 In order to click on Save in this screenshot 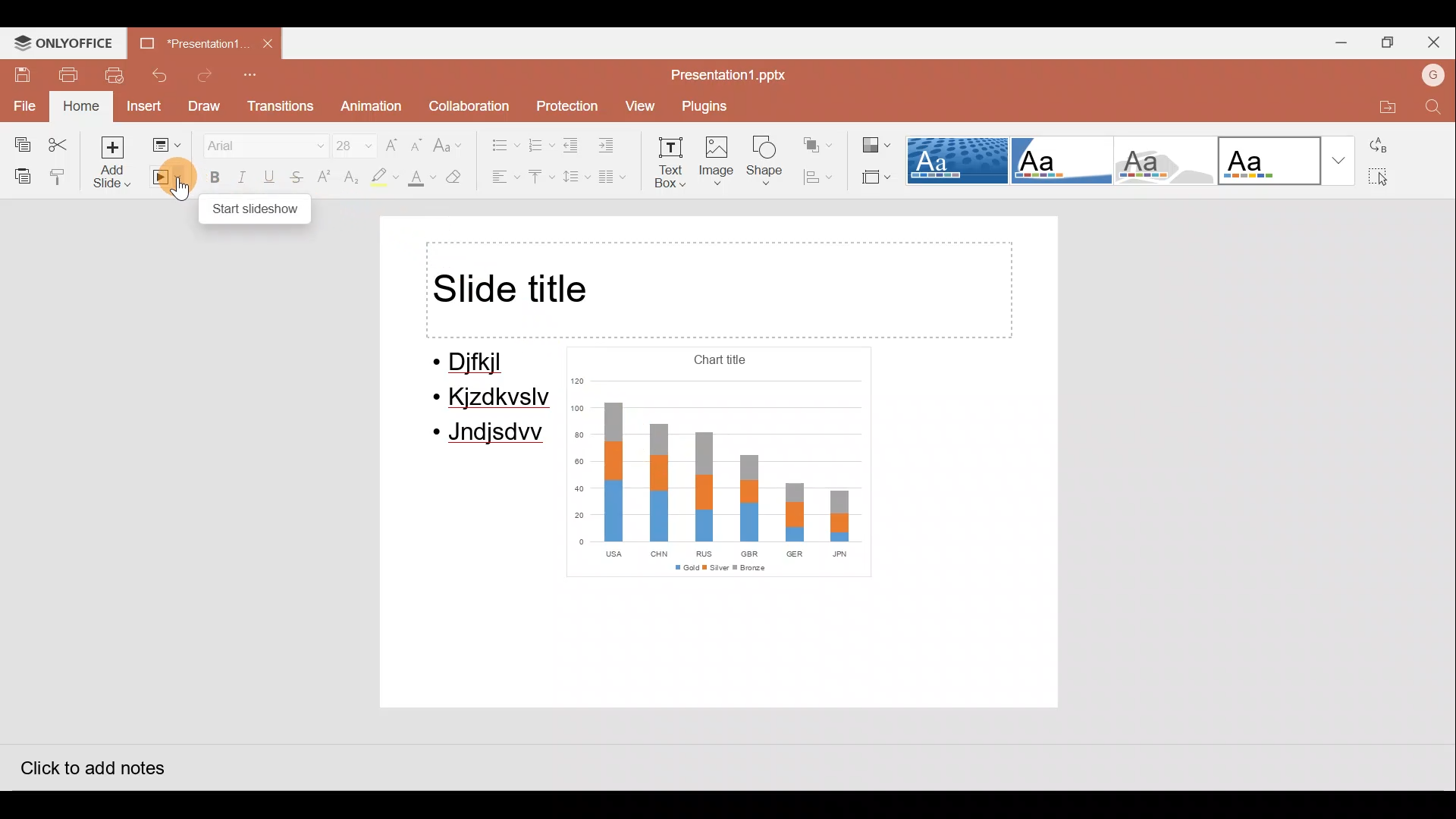, I will do `click(14, 74)`.